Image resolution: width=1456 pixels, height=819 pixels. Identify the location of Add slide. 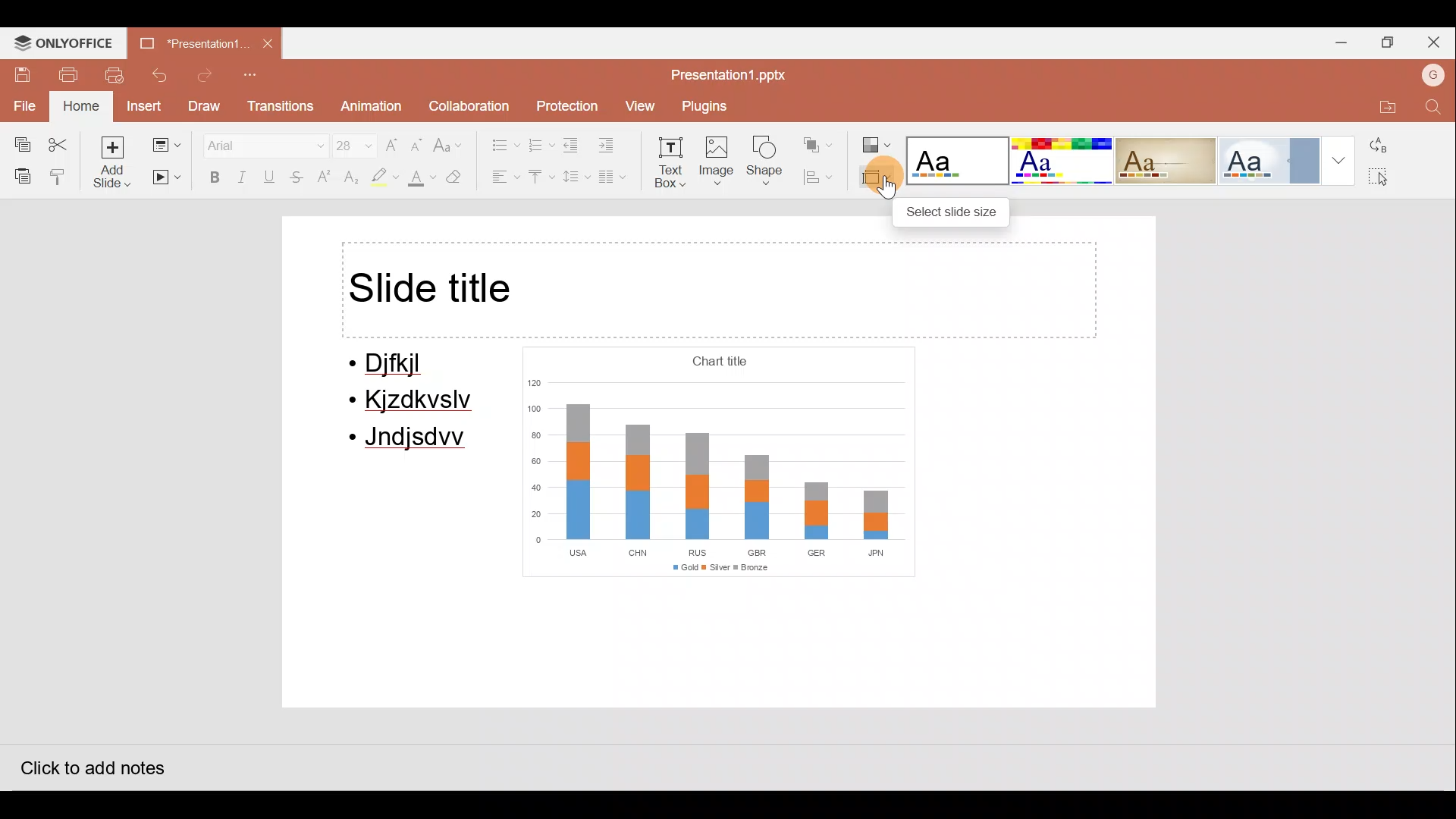
(113, 162).